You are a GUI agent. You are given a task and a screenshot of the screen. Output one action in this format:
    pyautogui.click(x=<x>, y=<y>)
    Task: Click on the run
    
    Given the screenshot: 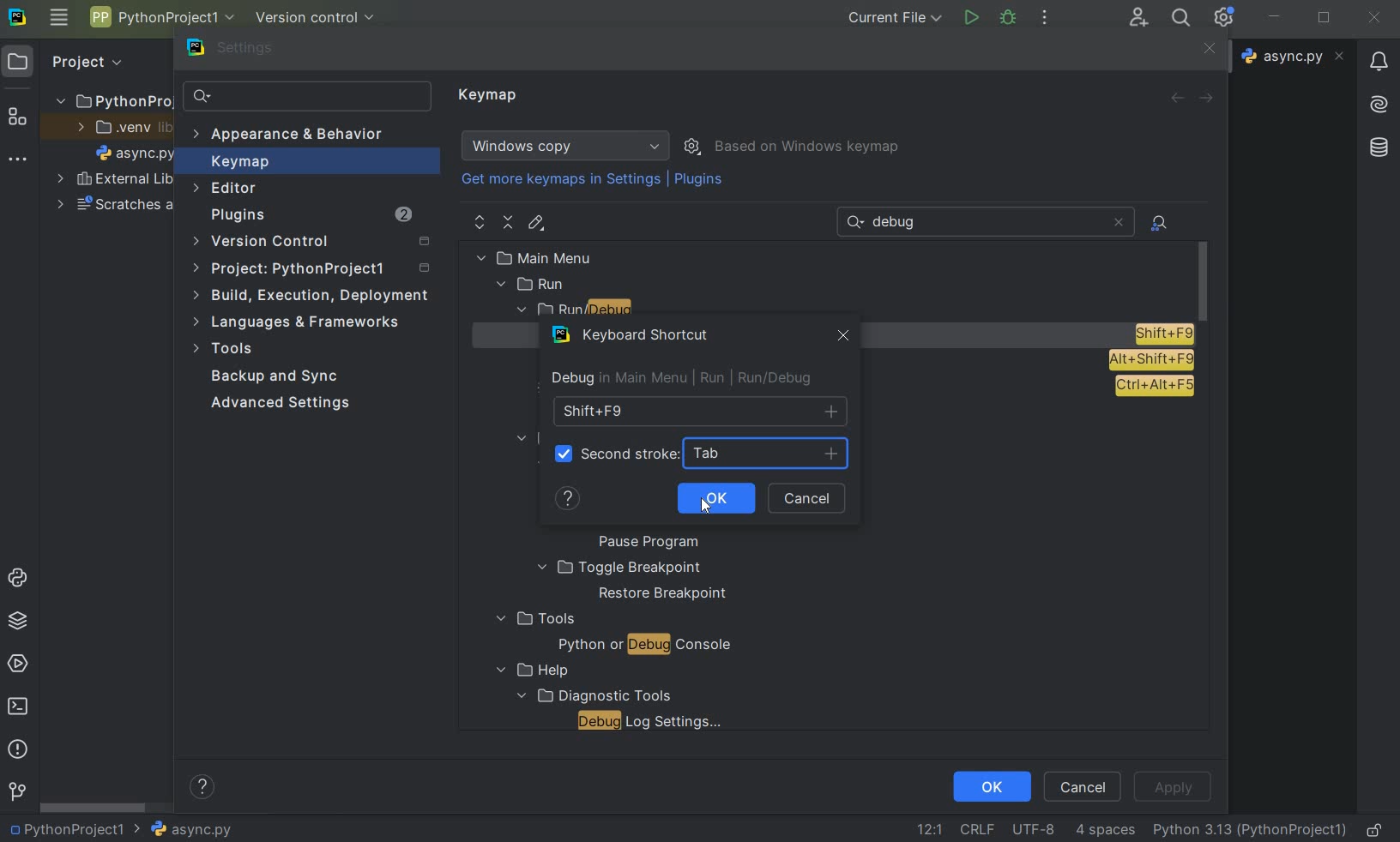 What is the action you would take?
    pyautogui.click(x=533, y=285)
    